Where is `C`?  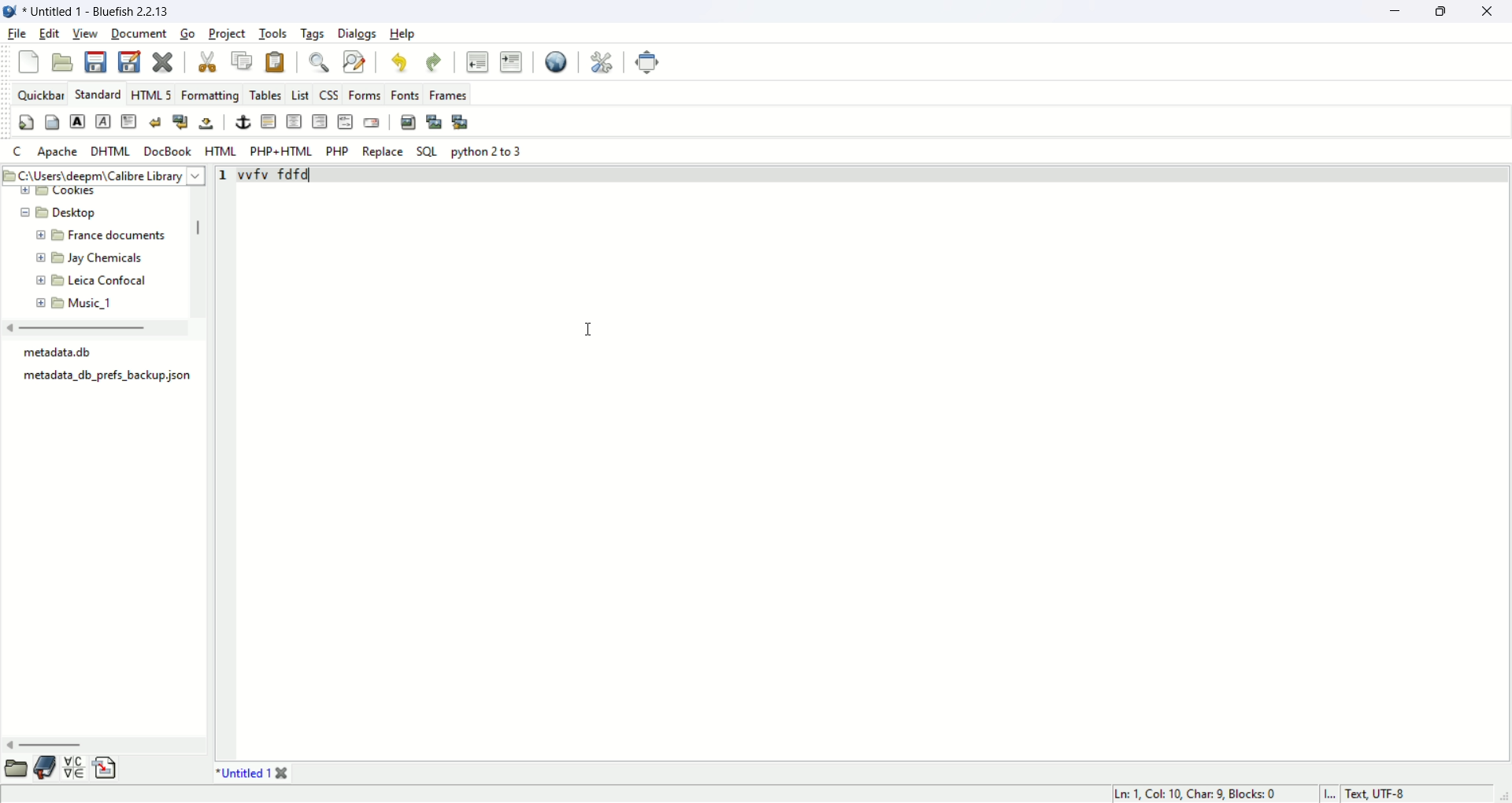
C is located at coordinates (20, 152).